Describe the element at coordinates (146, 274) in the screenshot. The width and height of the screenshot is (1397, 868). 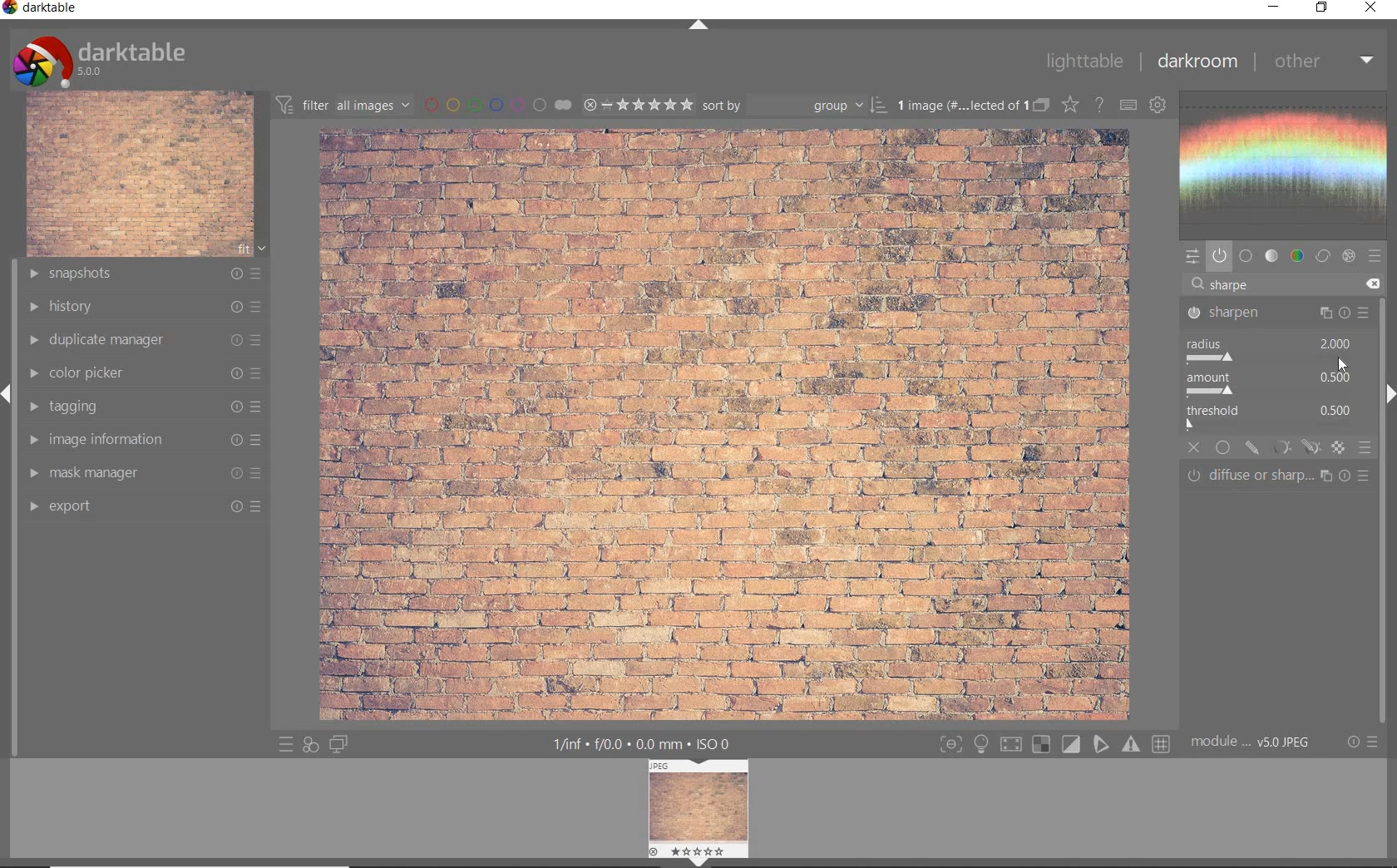
I see `snapshots` at that location.